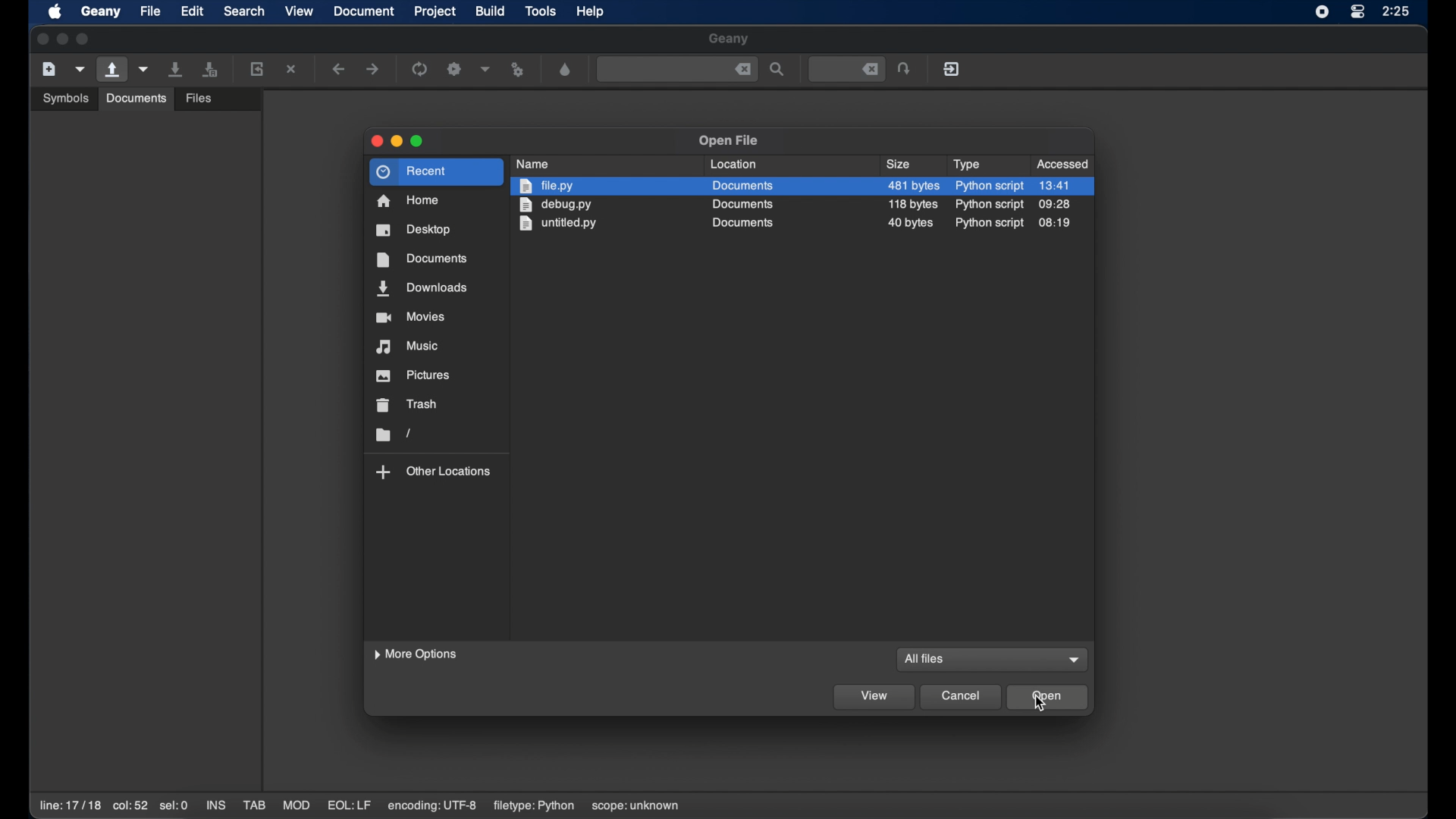  What do you see at coordinates (913, 186) in the screenshot?
I see `482 size` at bounding box center [913, 186].